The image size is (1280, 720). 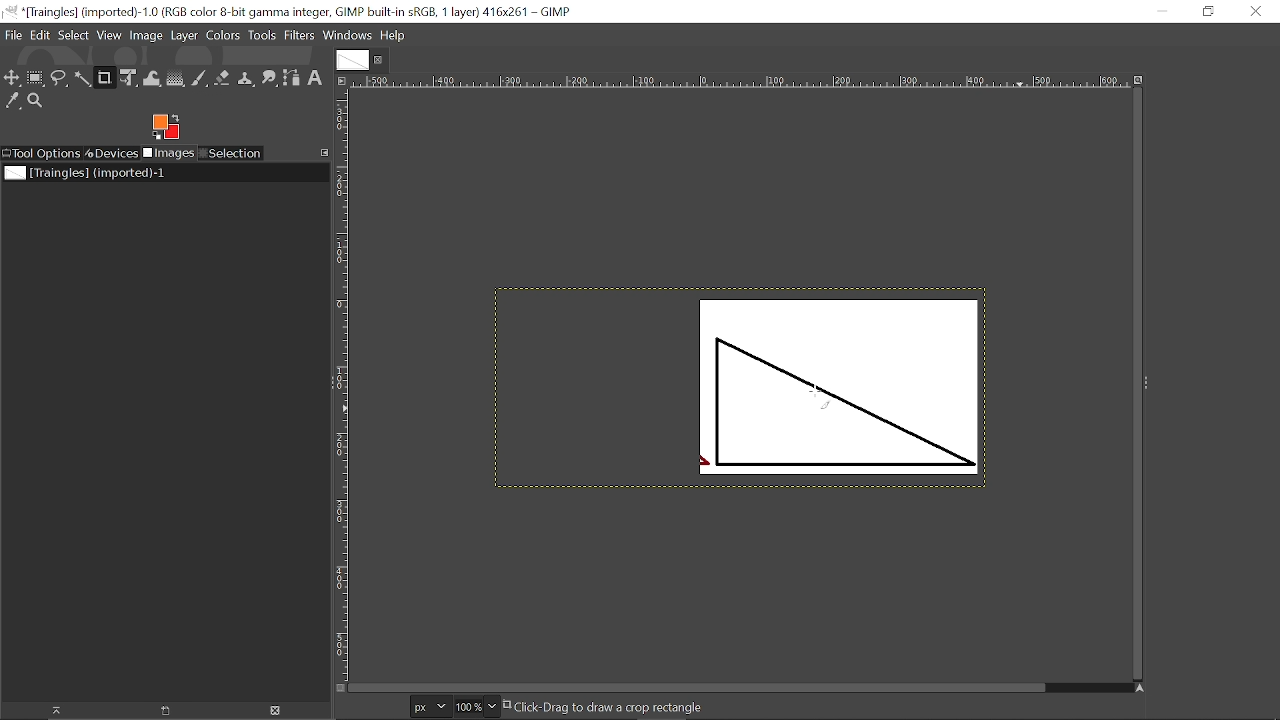 What do you see at coordinates (467, 706) in the screenshot?
I see `Current zoom` at bounding box center [467, 706].